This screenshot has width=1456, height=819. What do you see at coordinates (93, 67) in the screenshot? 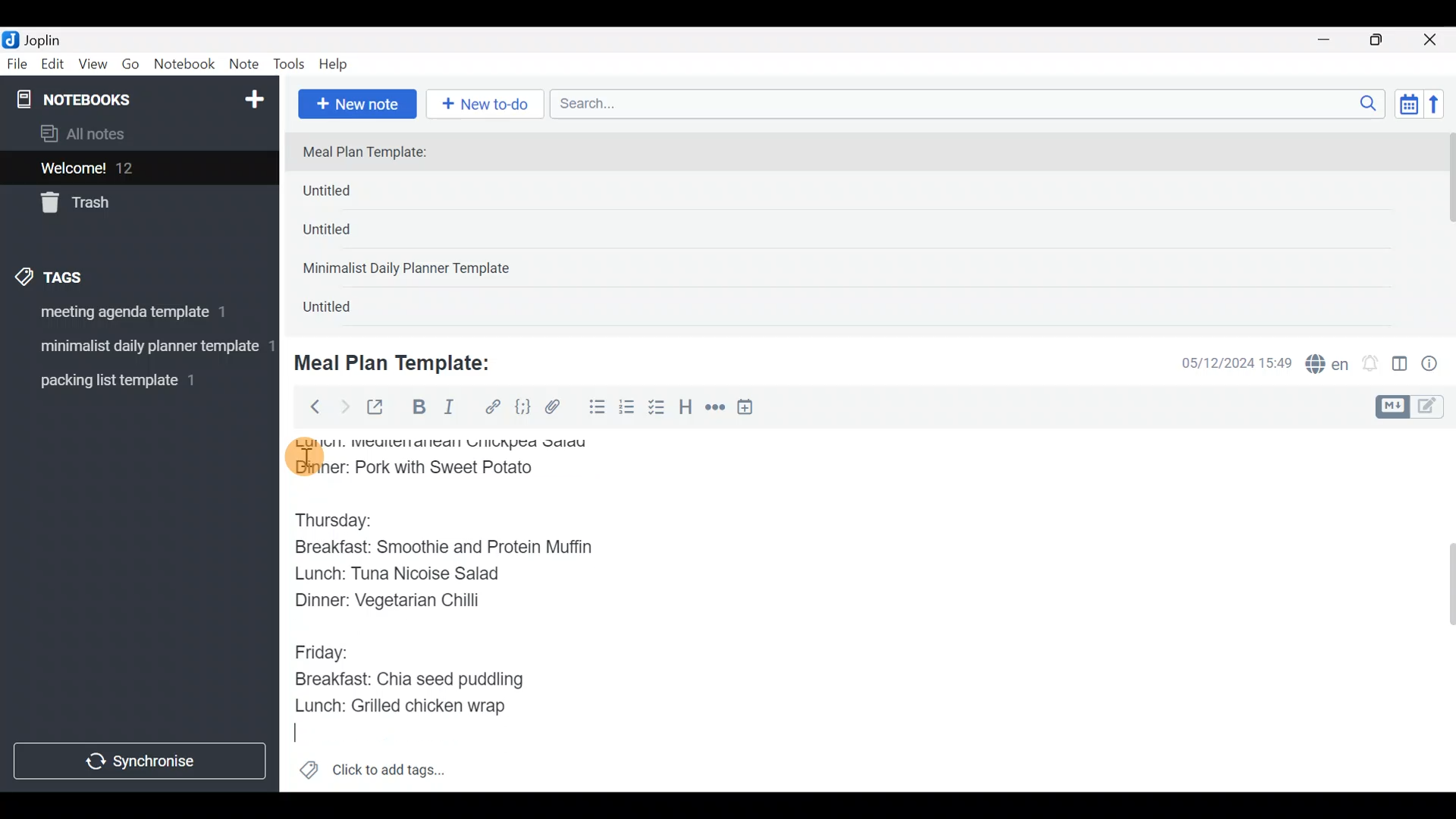
I see `View` at bounding box center [93, 67].